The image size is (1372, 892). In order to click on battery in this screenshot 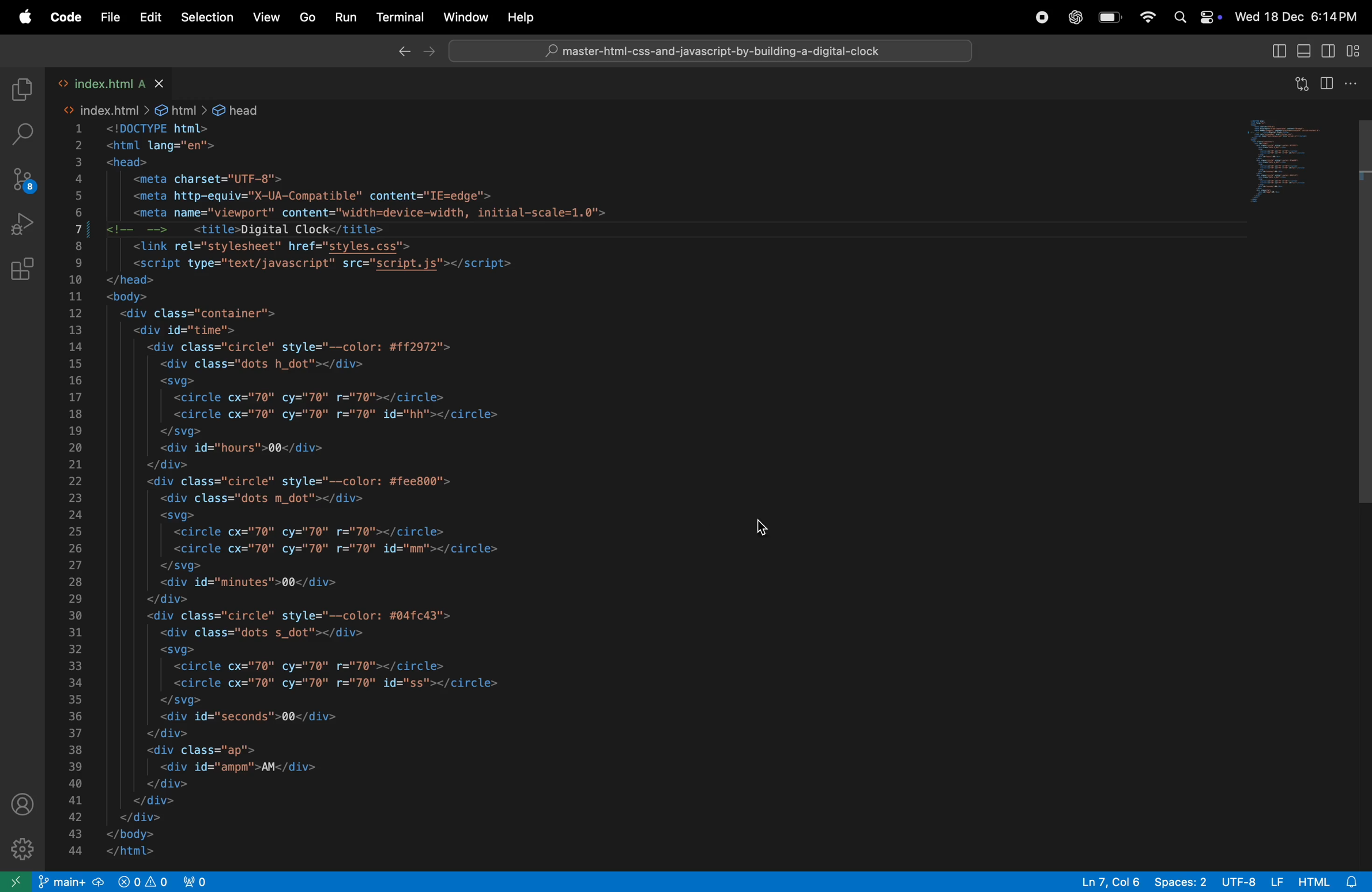, I will do `click(1110, 18)`.